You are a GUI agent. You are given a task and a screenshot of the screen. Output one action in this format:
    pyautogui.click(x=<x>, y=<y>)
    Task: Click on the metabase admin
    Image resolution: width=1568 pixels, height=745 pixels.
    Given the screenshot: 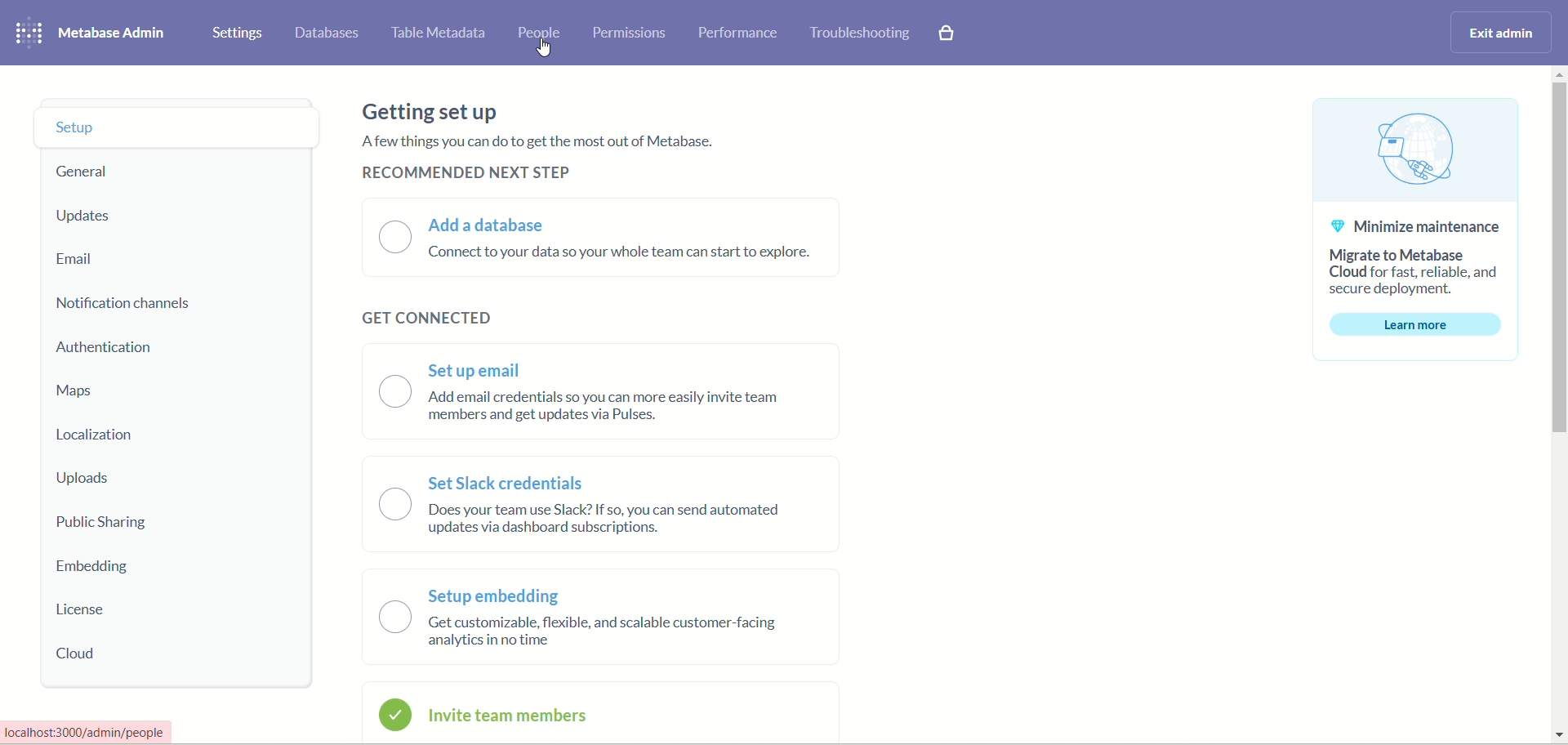 What is the action you would take?
    pyautogui.click(x=112, y=32)
    